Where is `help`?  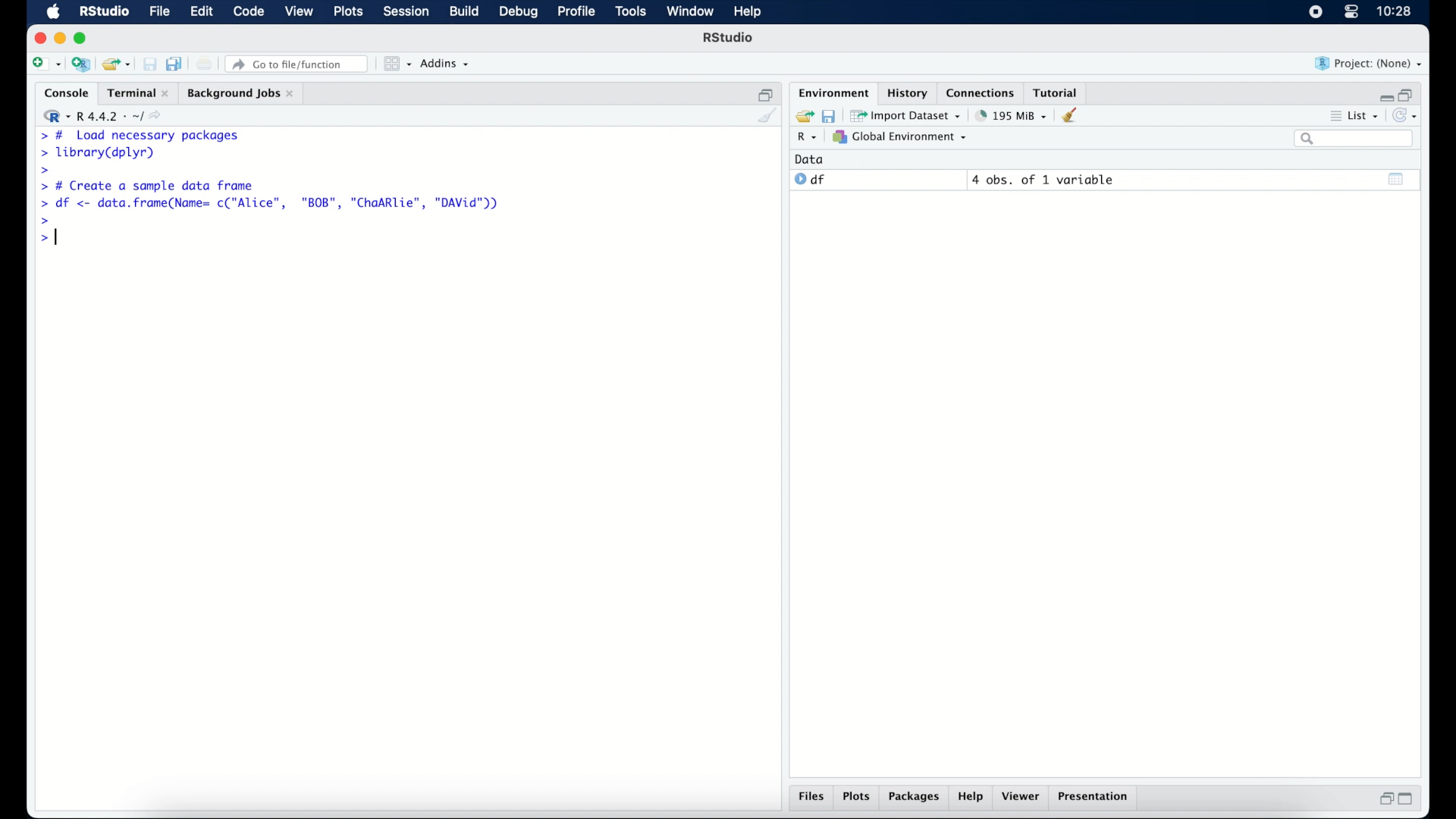
help is located at coordinates (971, 799).